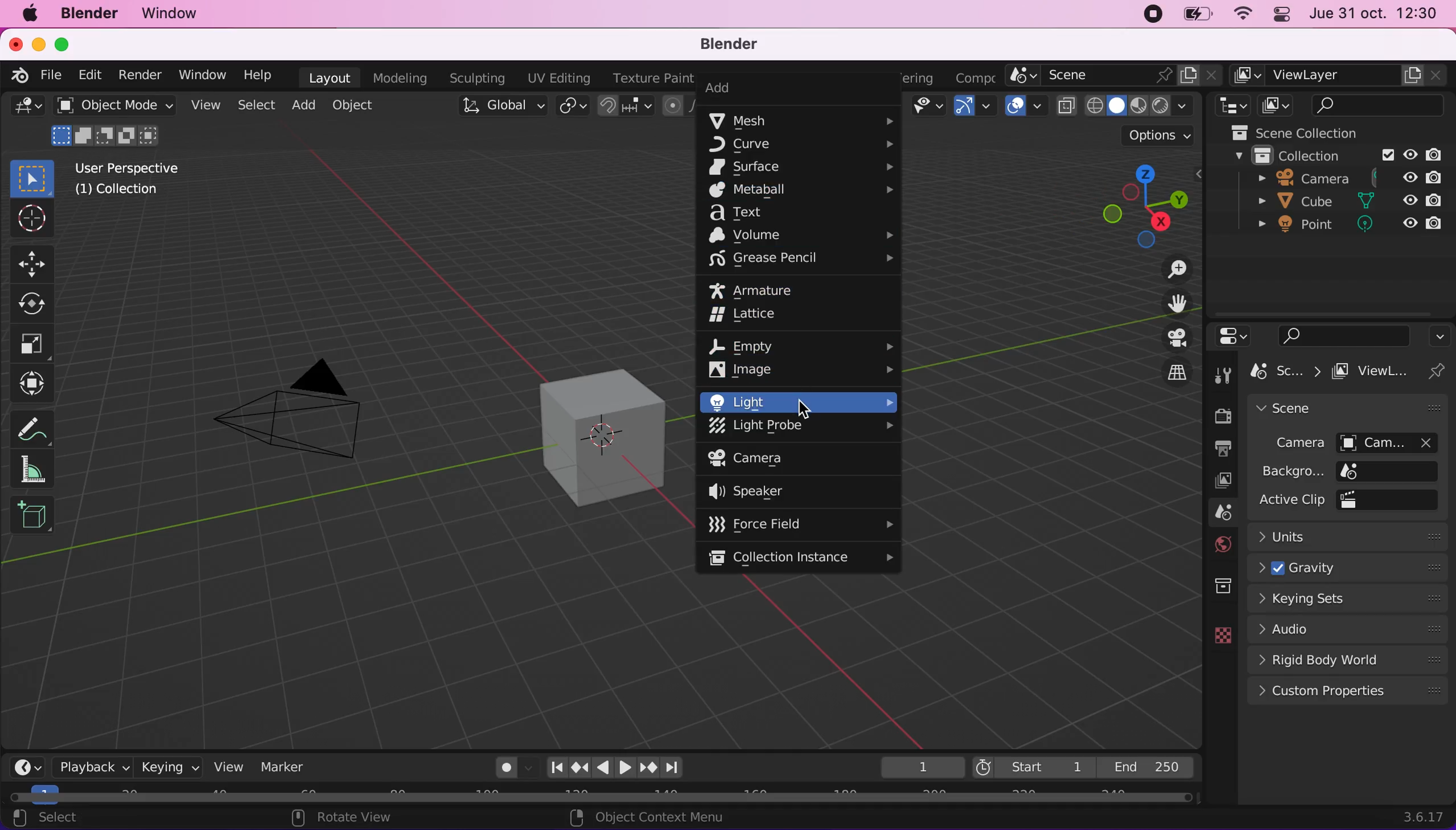  What do you see at coordinates (1026, 109) in the screenshot?
I see `overlays` at bounding box center [1026, 109].